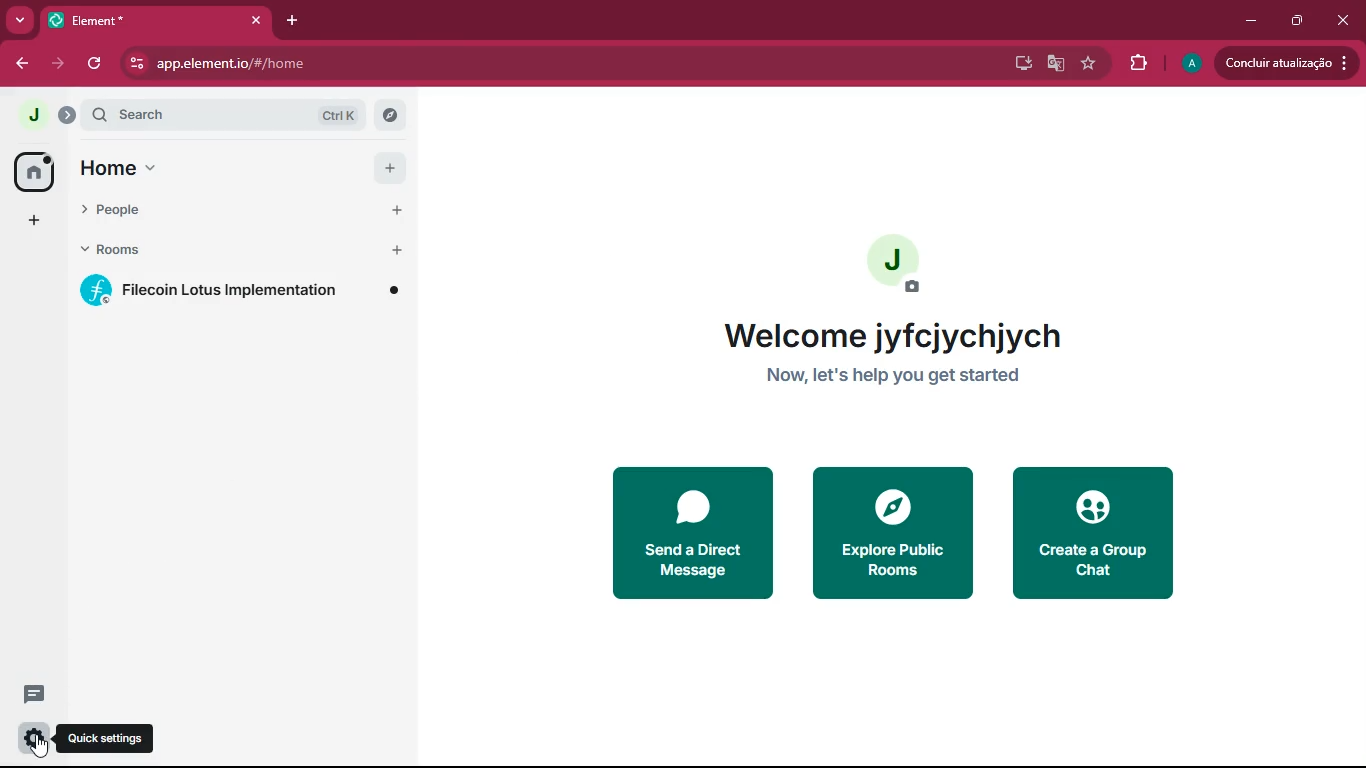  Describe the element at coordinates (297, 21) in the screenshot. I see `add tab` at that location.